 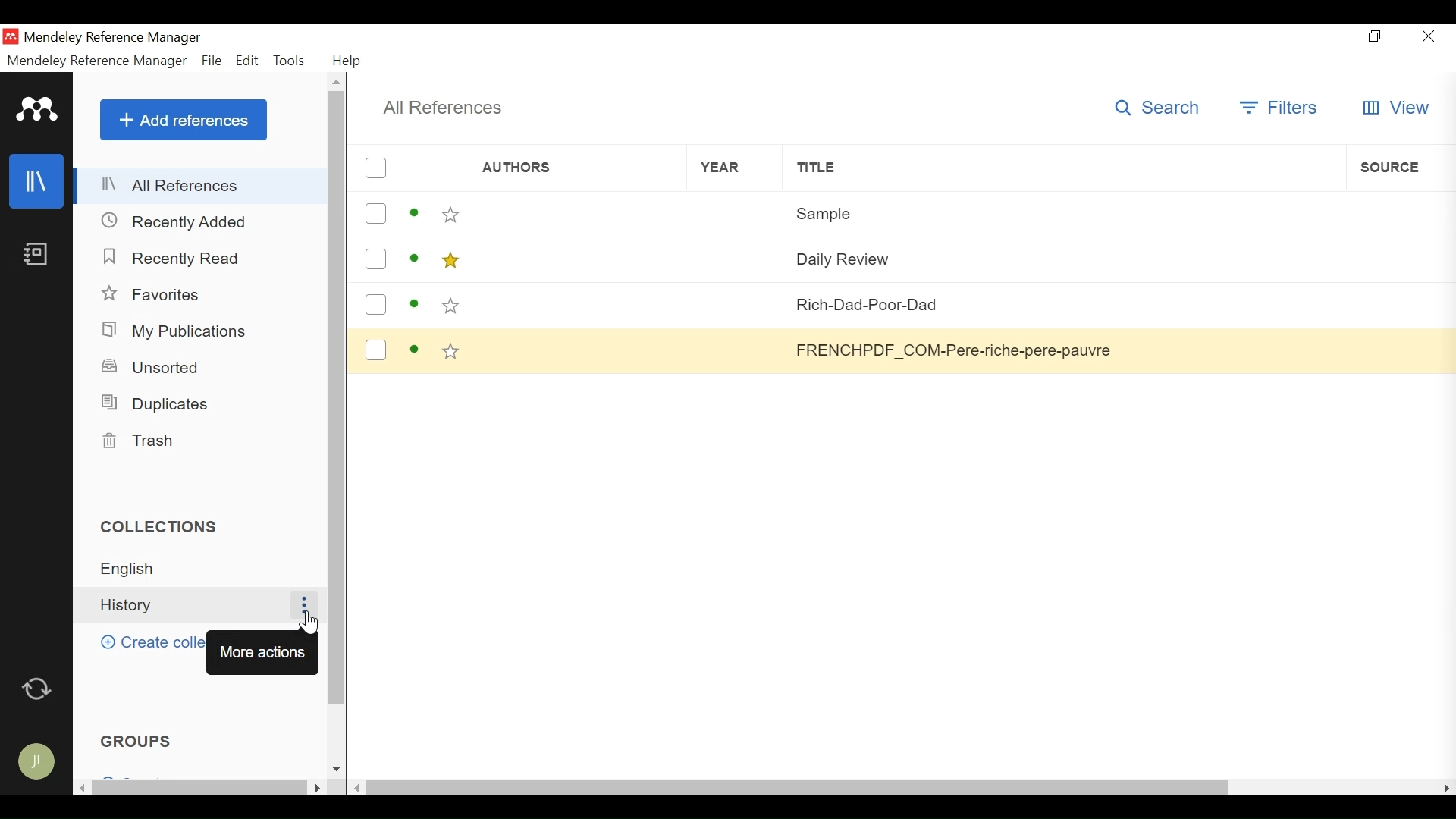 What do you see at coordinates (738, 349) in the screenshot?
I see `Year` at bounding box center [738, 349].